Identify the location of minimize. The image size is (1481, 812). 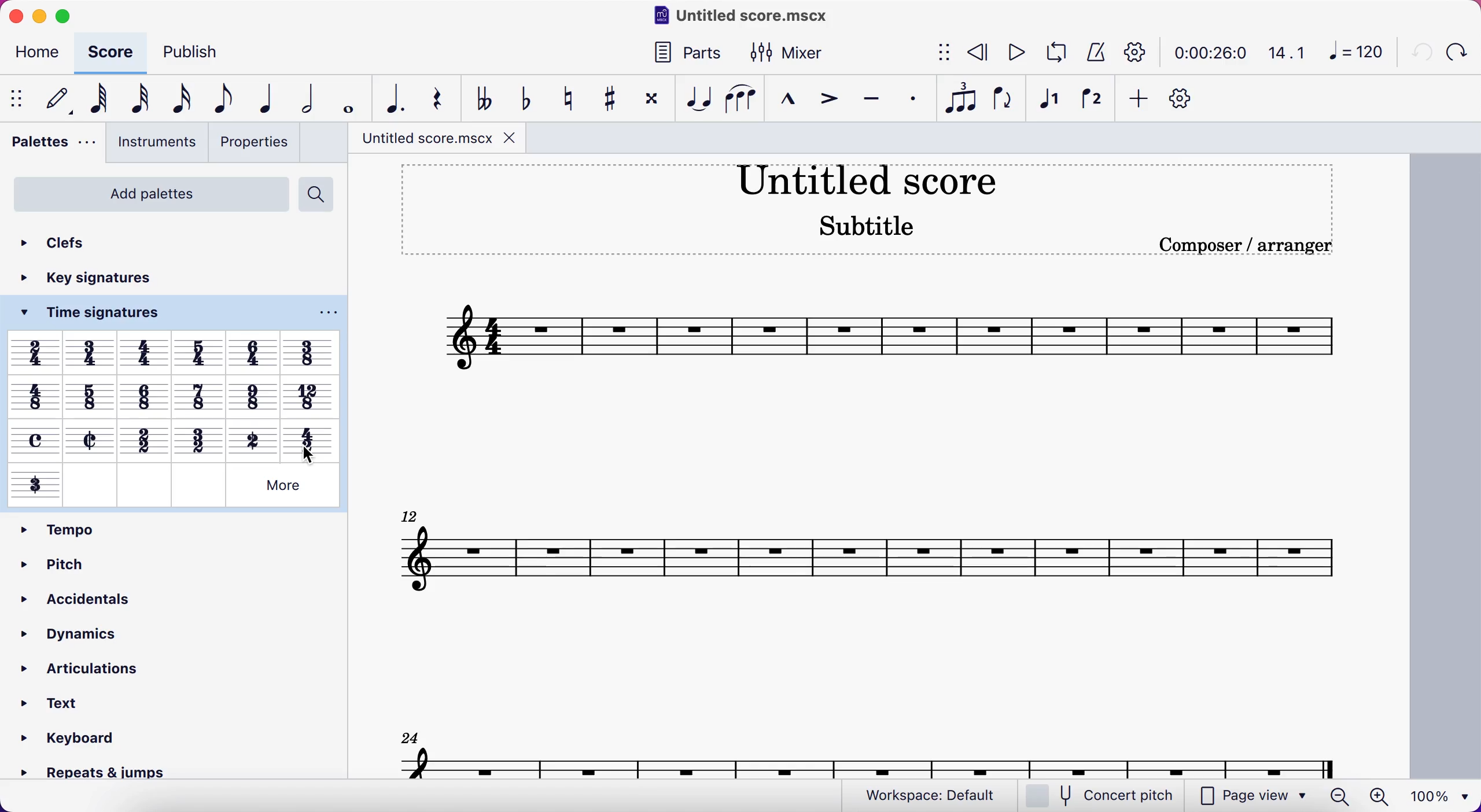
(40, 19).